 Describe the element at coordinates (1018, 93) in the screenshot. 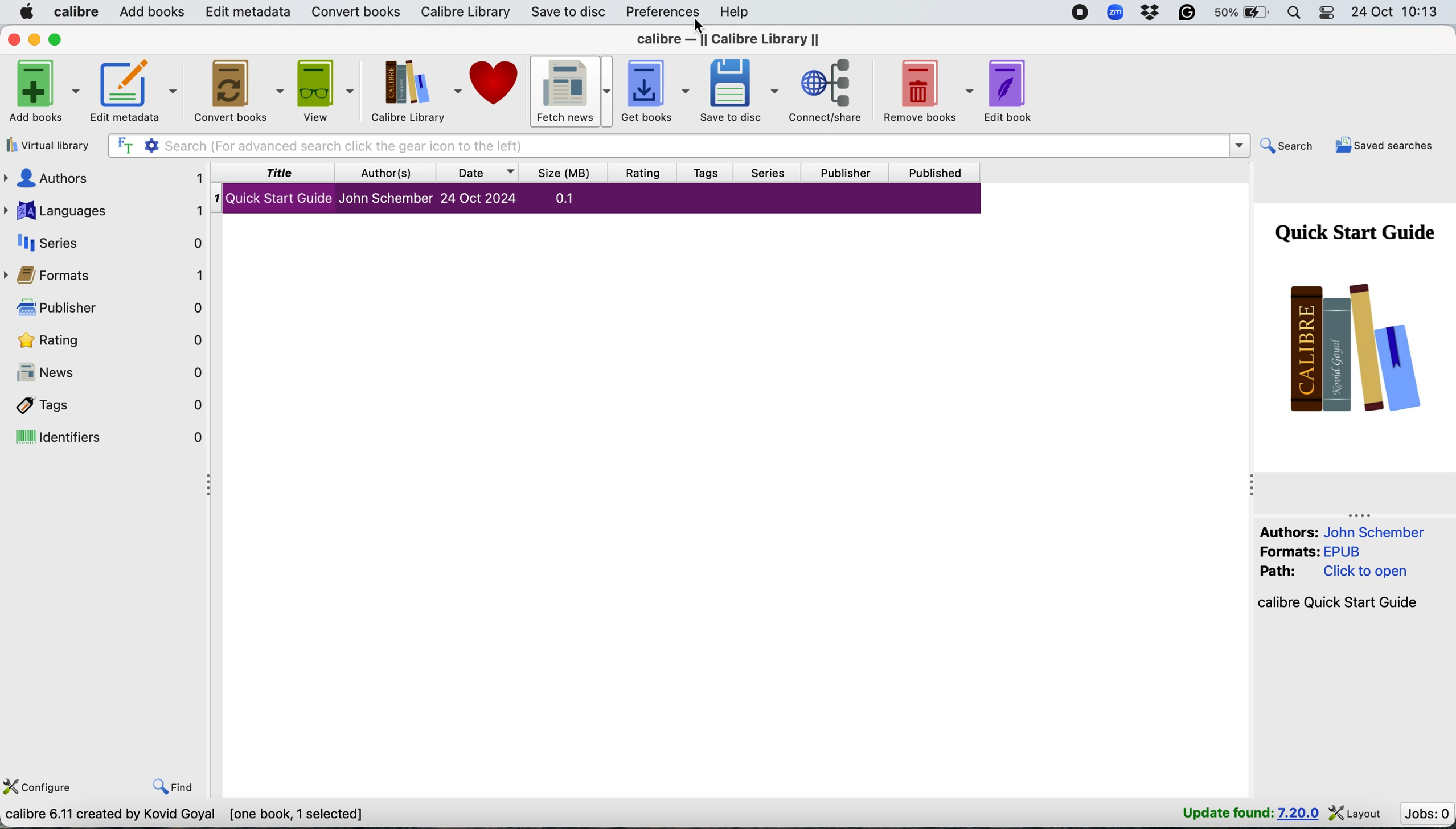

I see `edit book` at that location.